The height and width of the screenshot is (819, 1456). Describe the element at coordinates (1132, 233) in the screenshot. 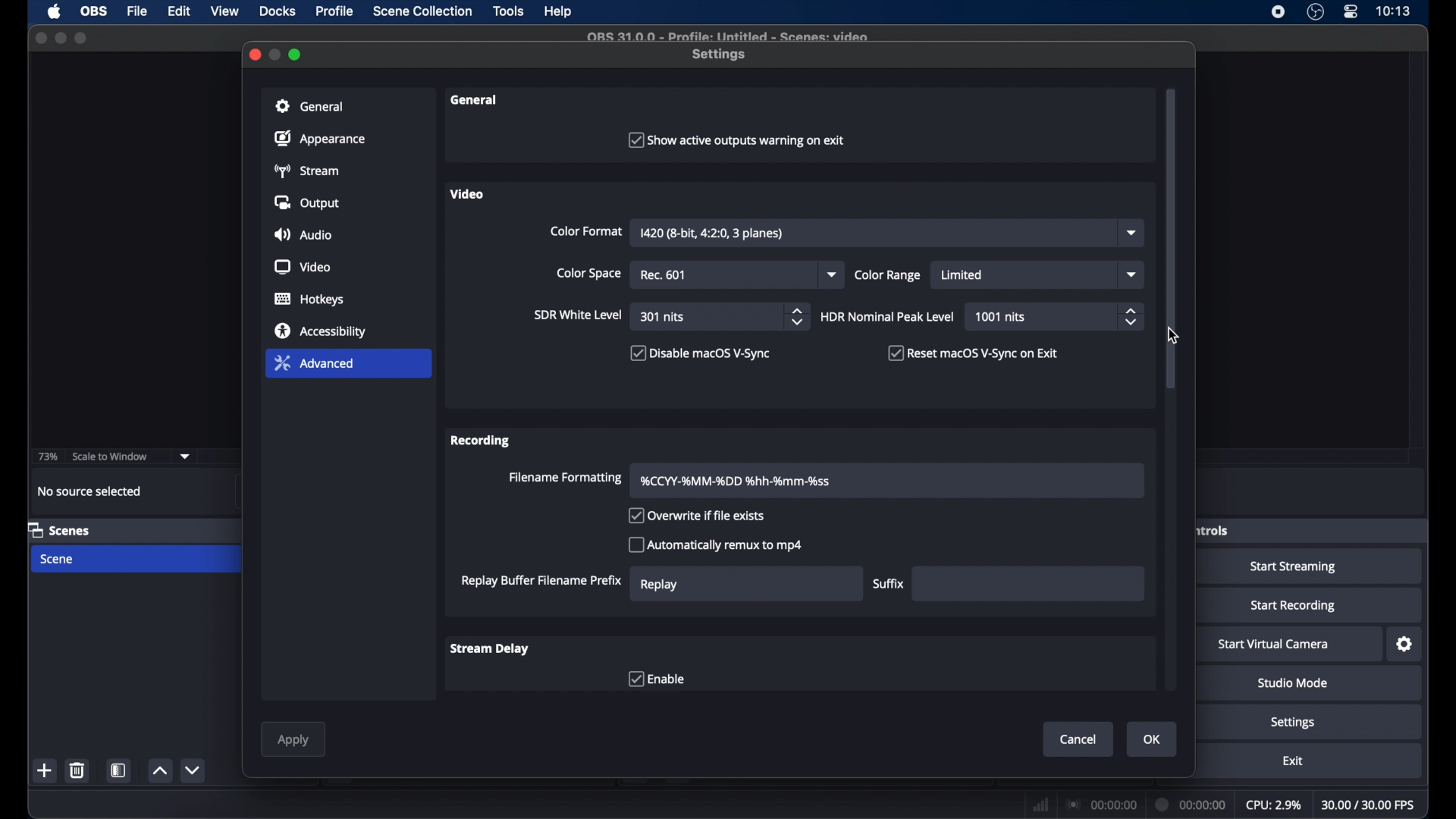

I see `dropdown` at that location.